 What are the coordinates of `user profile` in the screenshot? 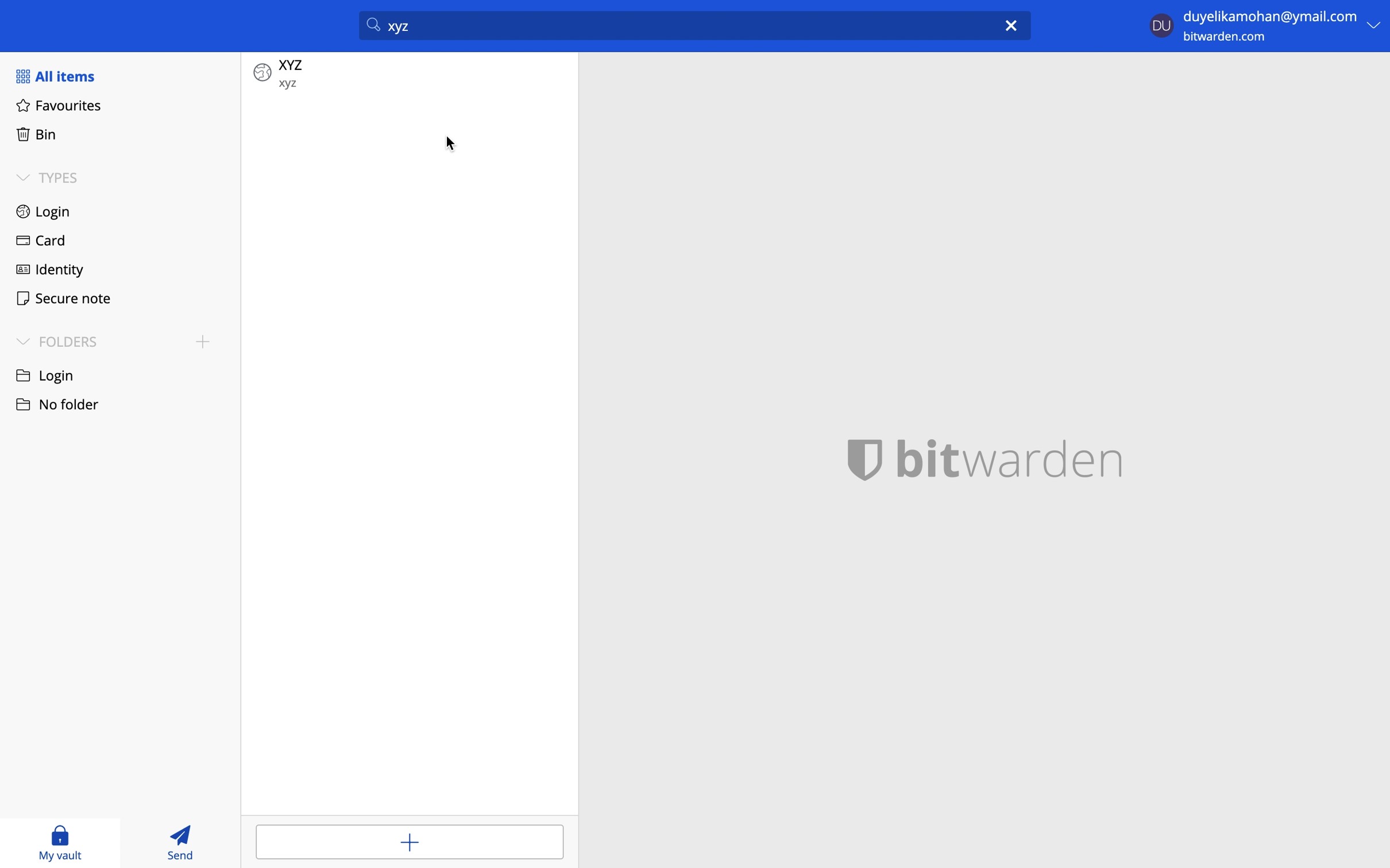 It's located at (1160, 24).